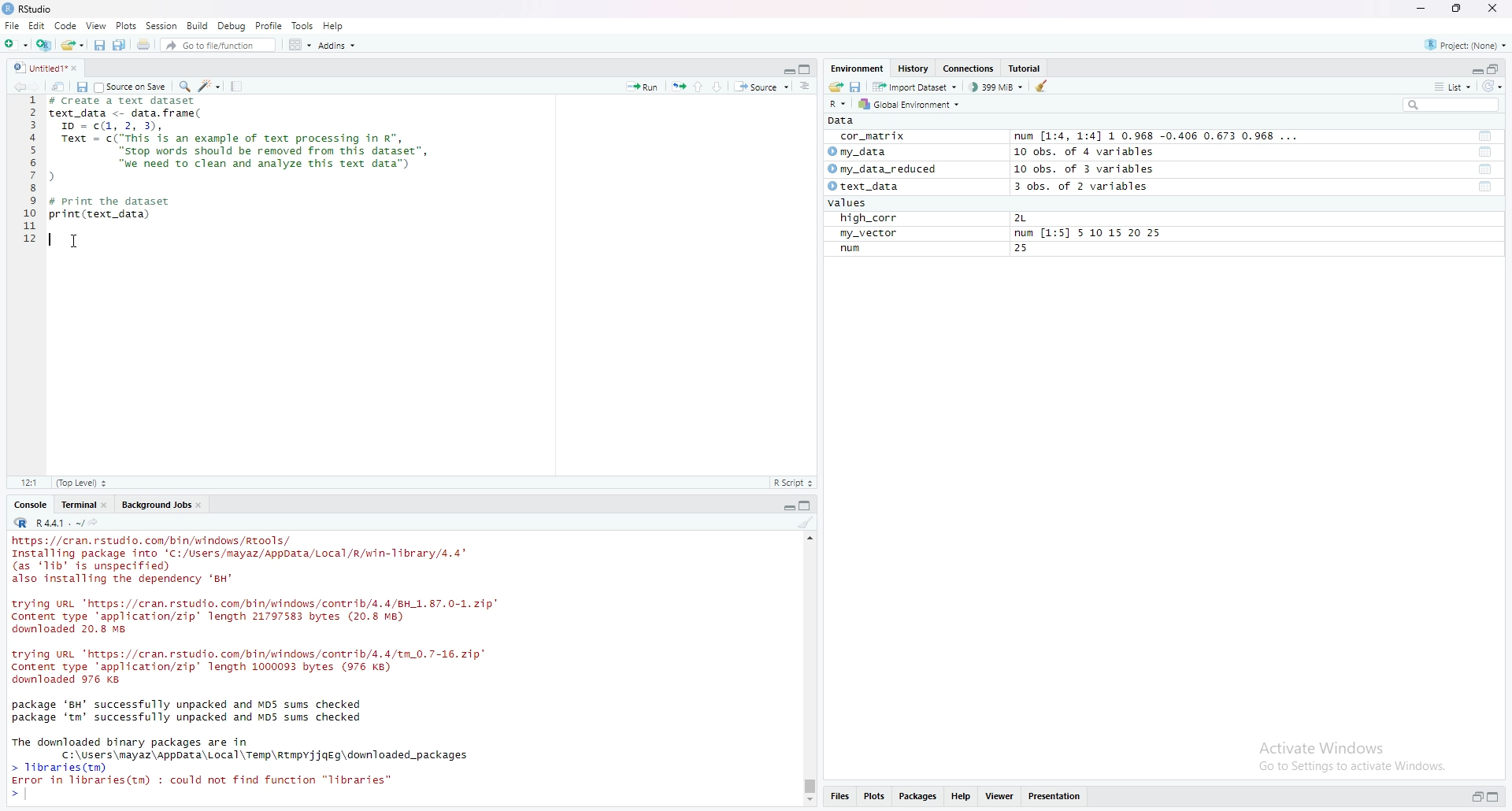 This screenshot has height=811, width=1512. Describe the element at coordinates (244, 161) in the screenshot. I see `data frame code` at that location.